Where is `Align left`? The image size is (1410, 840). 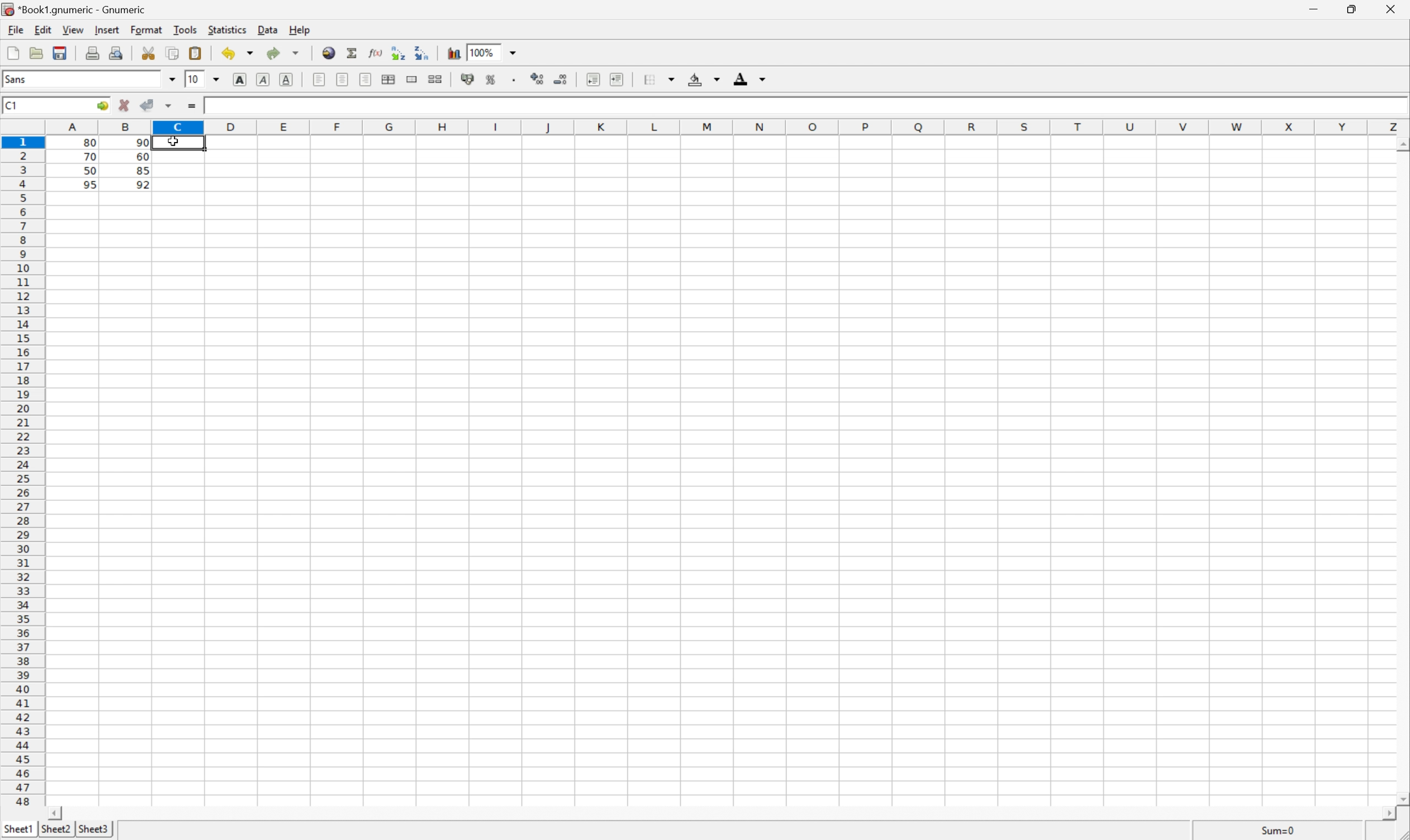 Align left is located at coordinates (367, 79).